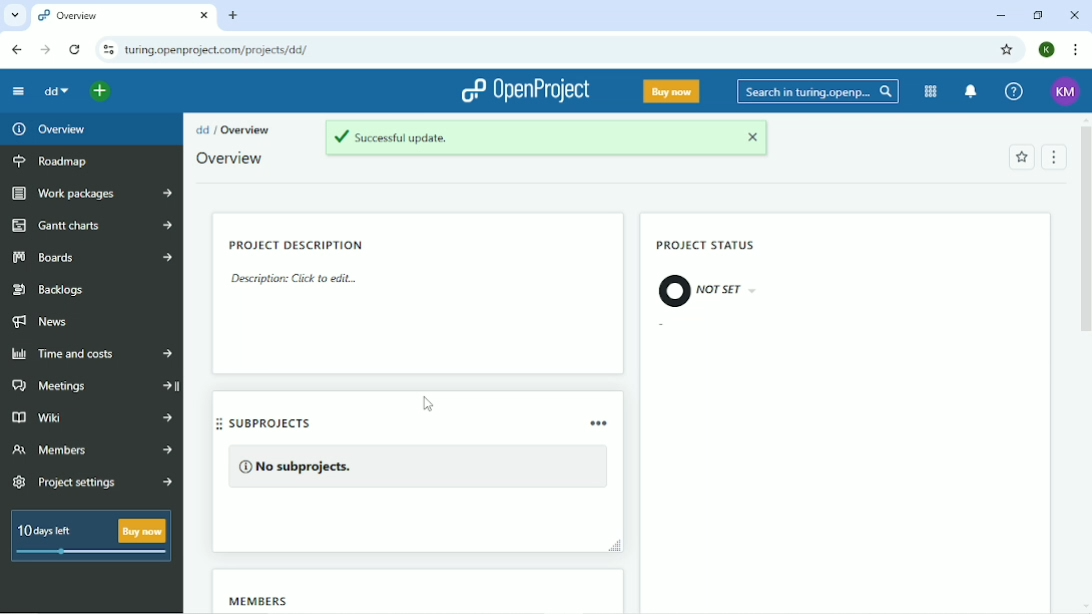 This screenshot has height=614, width=1092. I want to click on Close, so click(1075, 15).